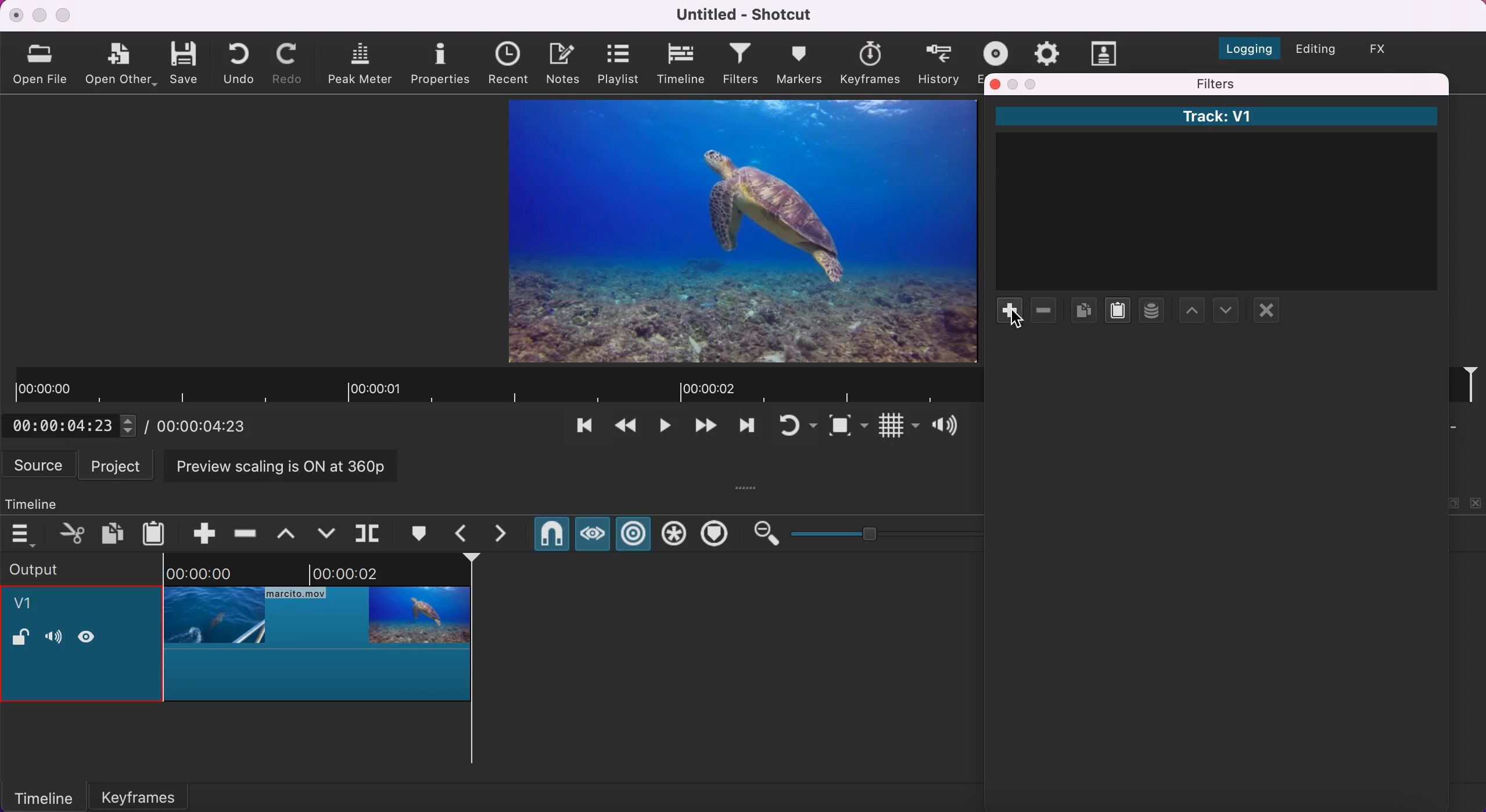  What do you see at coordinates (1221, 195) in the screenshot?
I see `Track: V1` at bounding box center [1221, 195].